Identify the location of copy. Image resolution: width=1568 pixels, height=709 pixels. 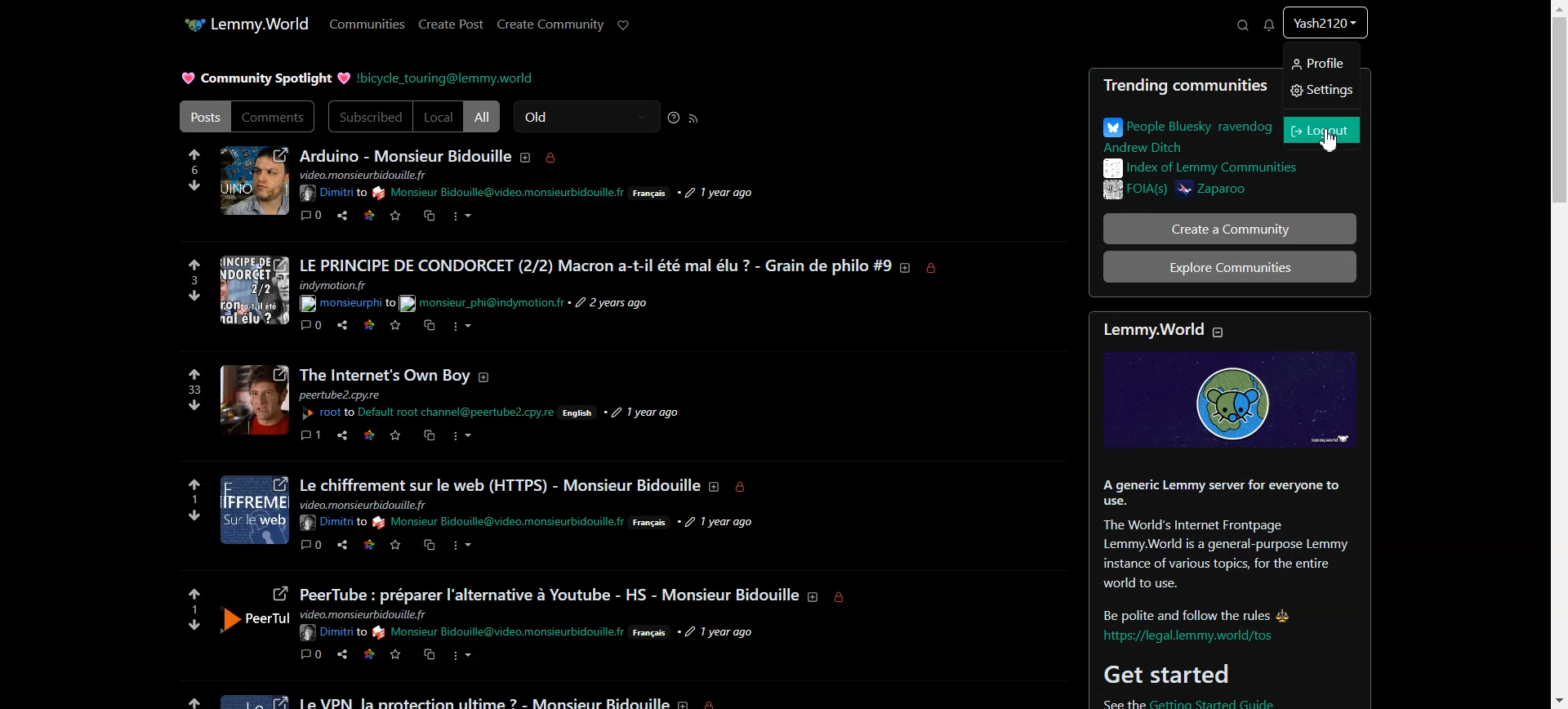
(430, 328).